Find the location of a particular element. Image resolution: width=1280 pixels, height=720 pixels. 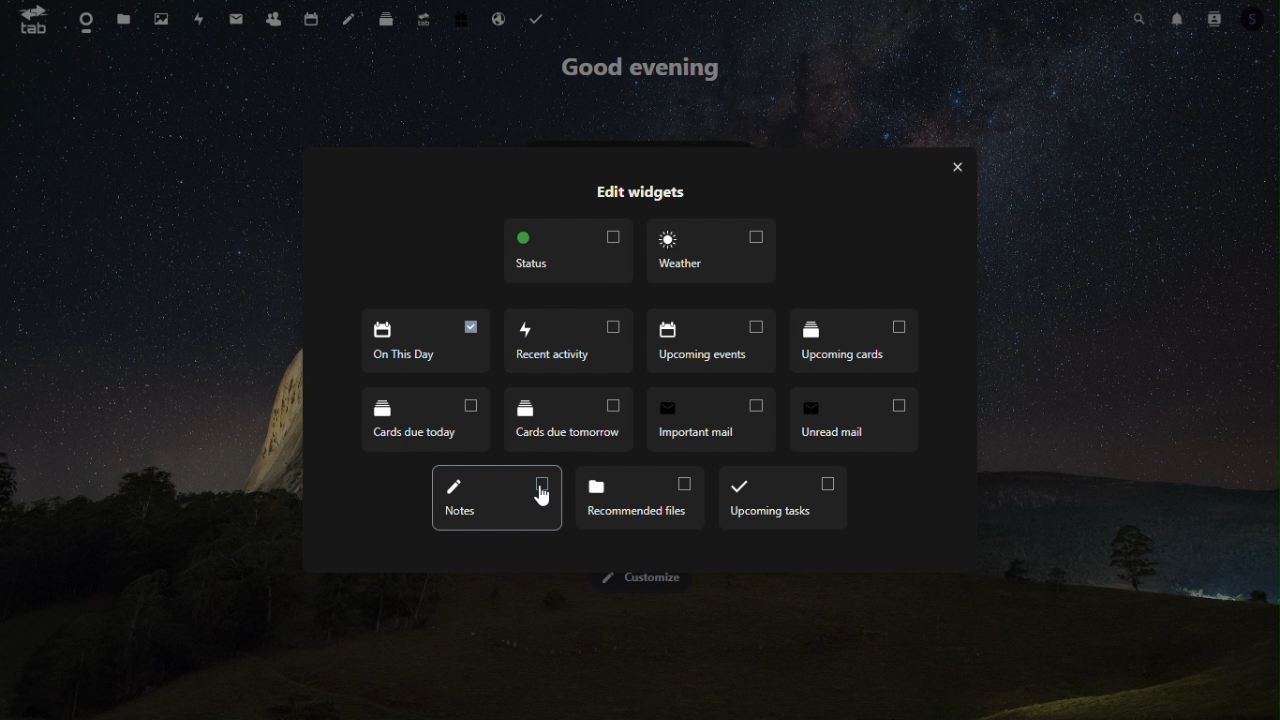

Edit widgets is located at coordinates (639, 192).